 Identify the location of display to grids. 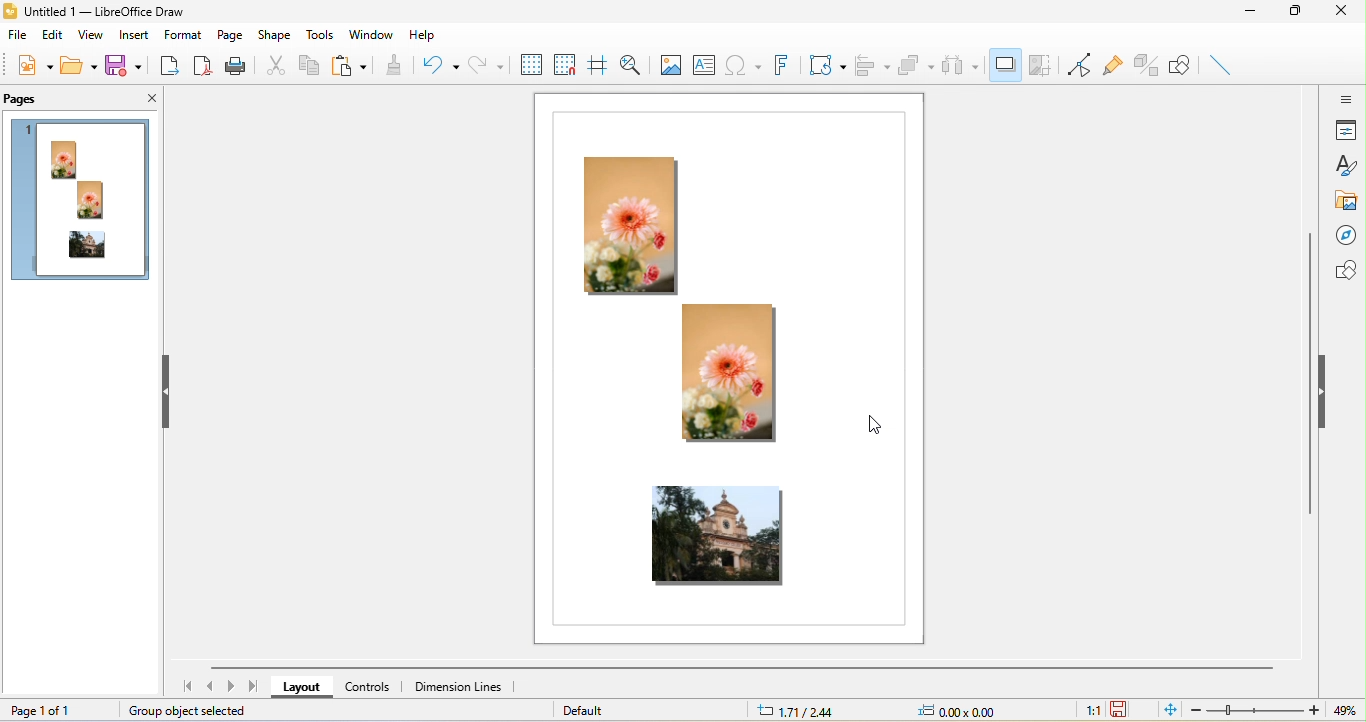
(530, 64).